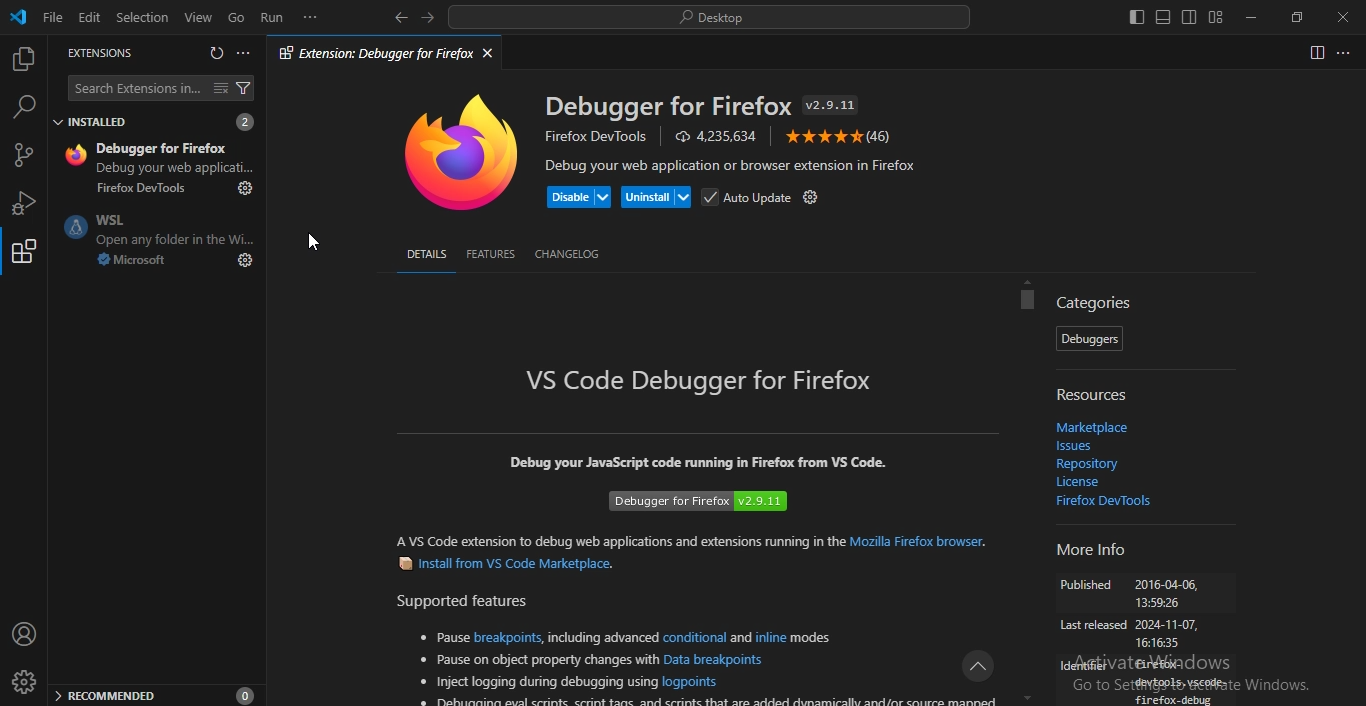  I want to click on extension debugger for firefox, so click(373, 51).